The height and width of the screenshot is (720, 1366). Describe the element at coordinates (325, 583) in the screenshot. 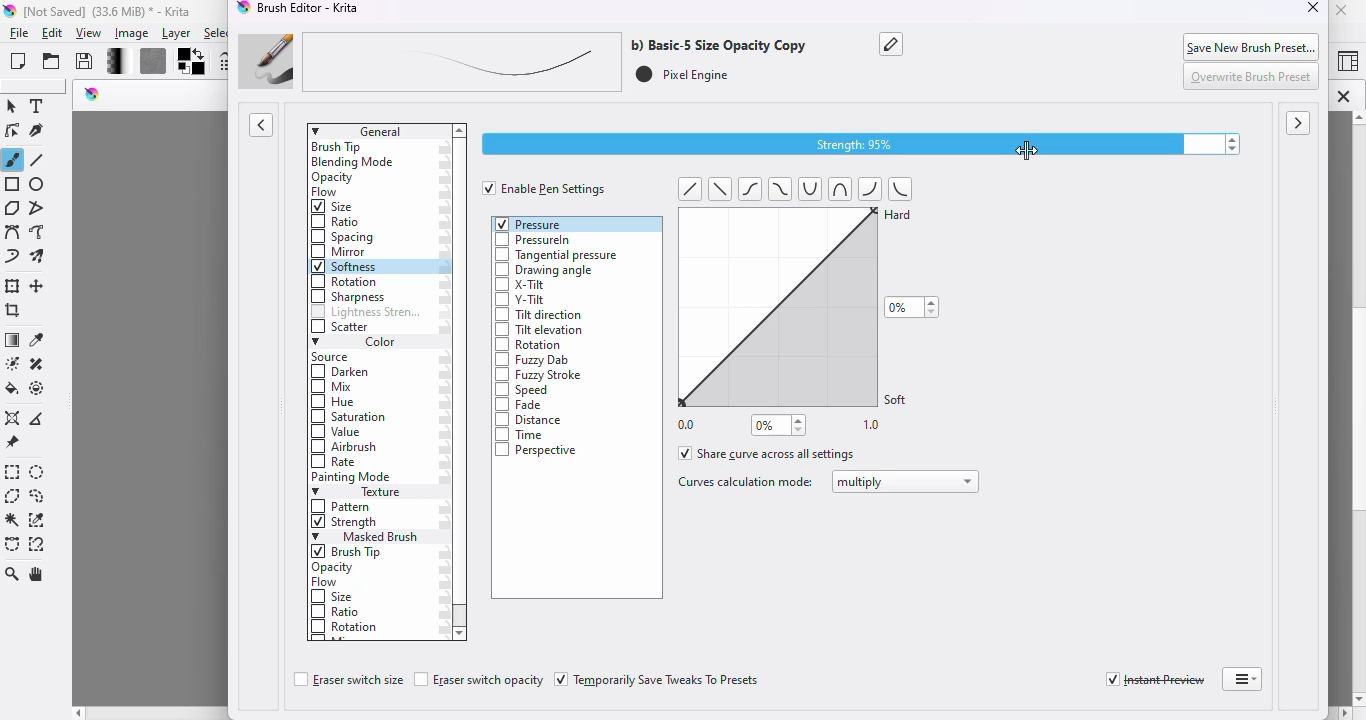

I see `flow` at that location.